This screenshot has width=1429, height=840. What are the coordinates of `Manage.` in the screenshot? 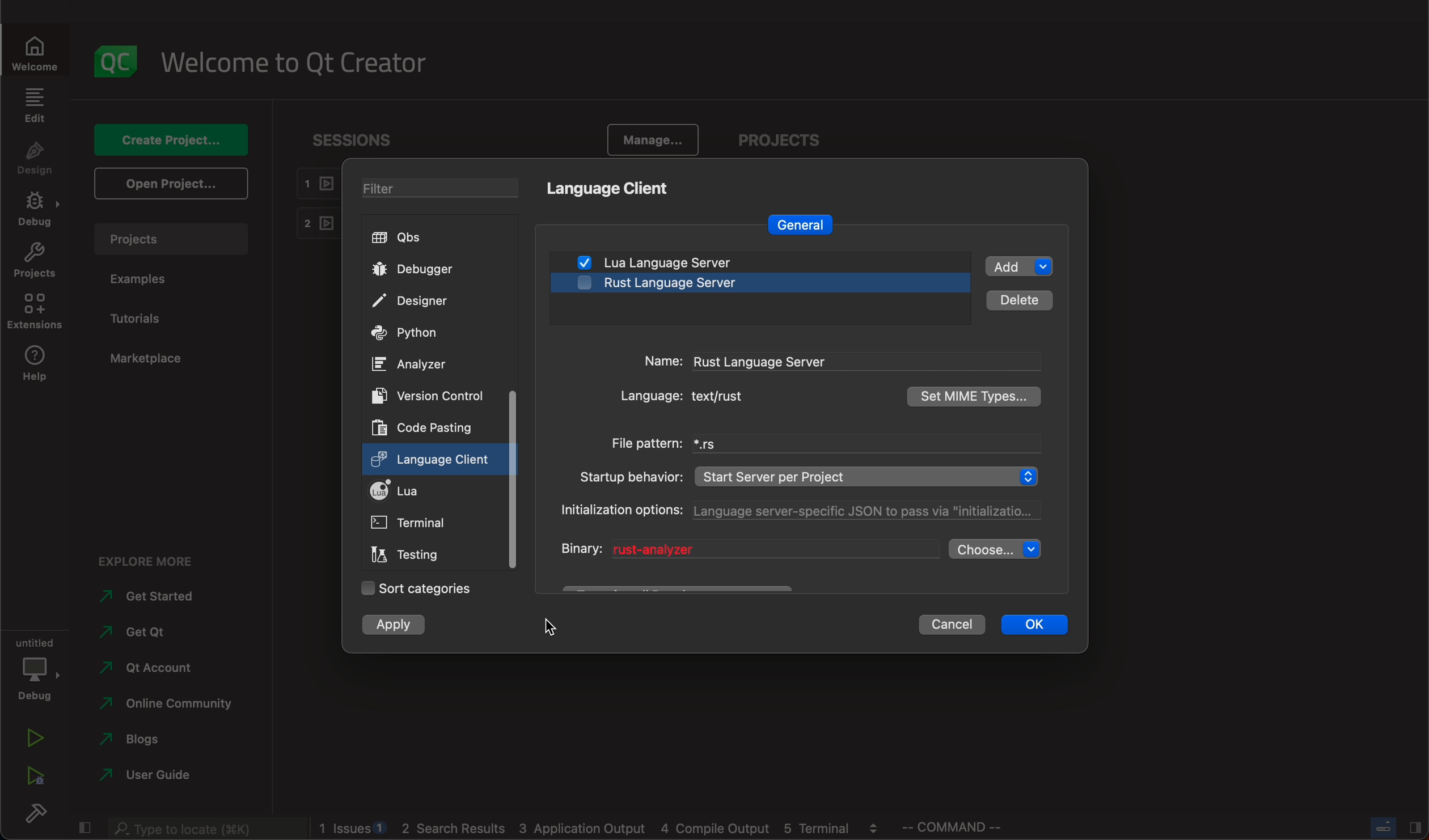 It's located at (647, 141).